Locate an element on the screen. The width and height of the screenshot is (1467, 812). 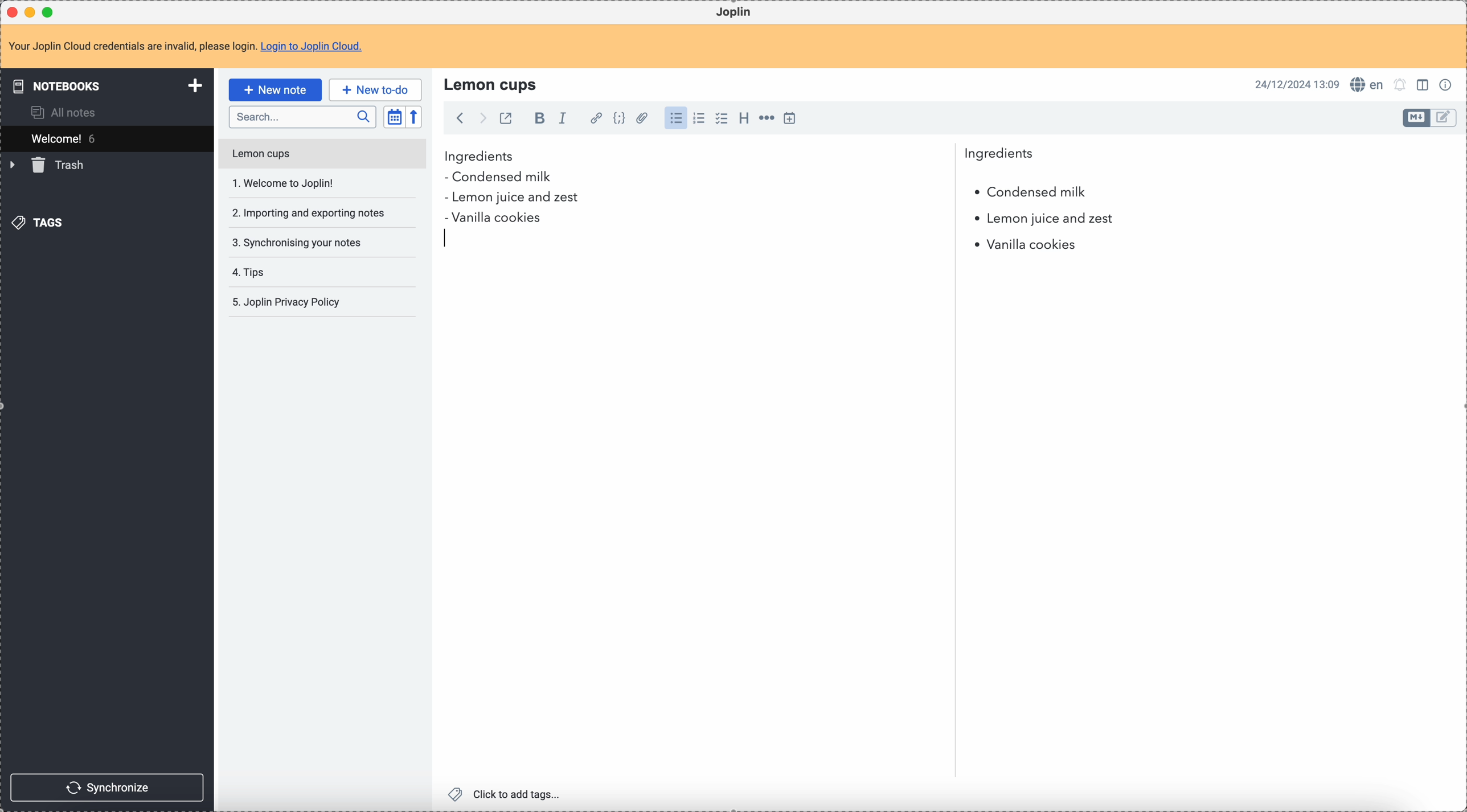
all notes is located at coordinates (67, 112).